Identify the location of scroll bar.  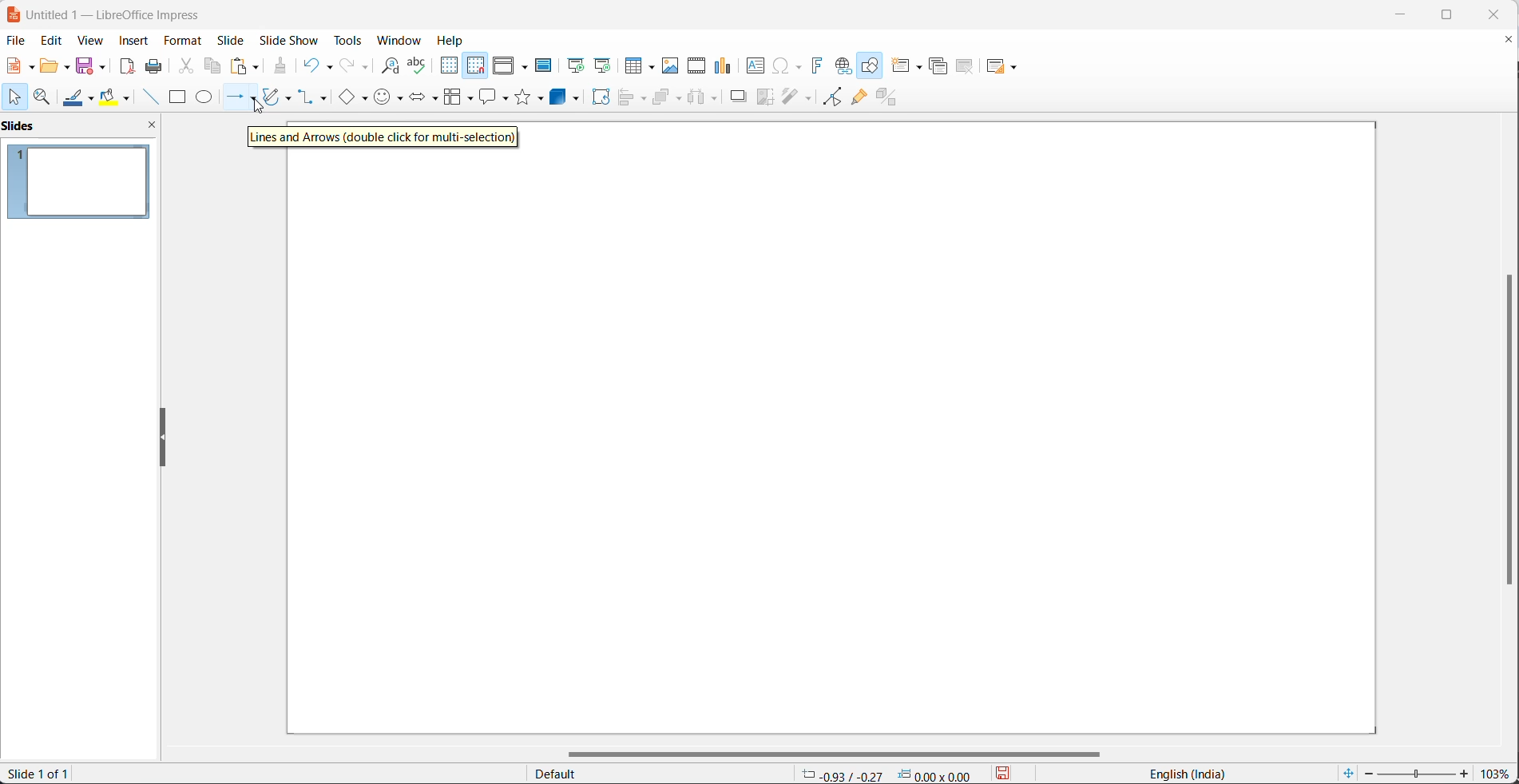
(1503, 430).